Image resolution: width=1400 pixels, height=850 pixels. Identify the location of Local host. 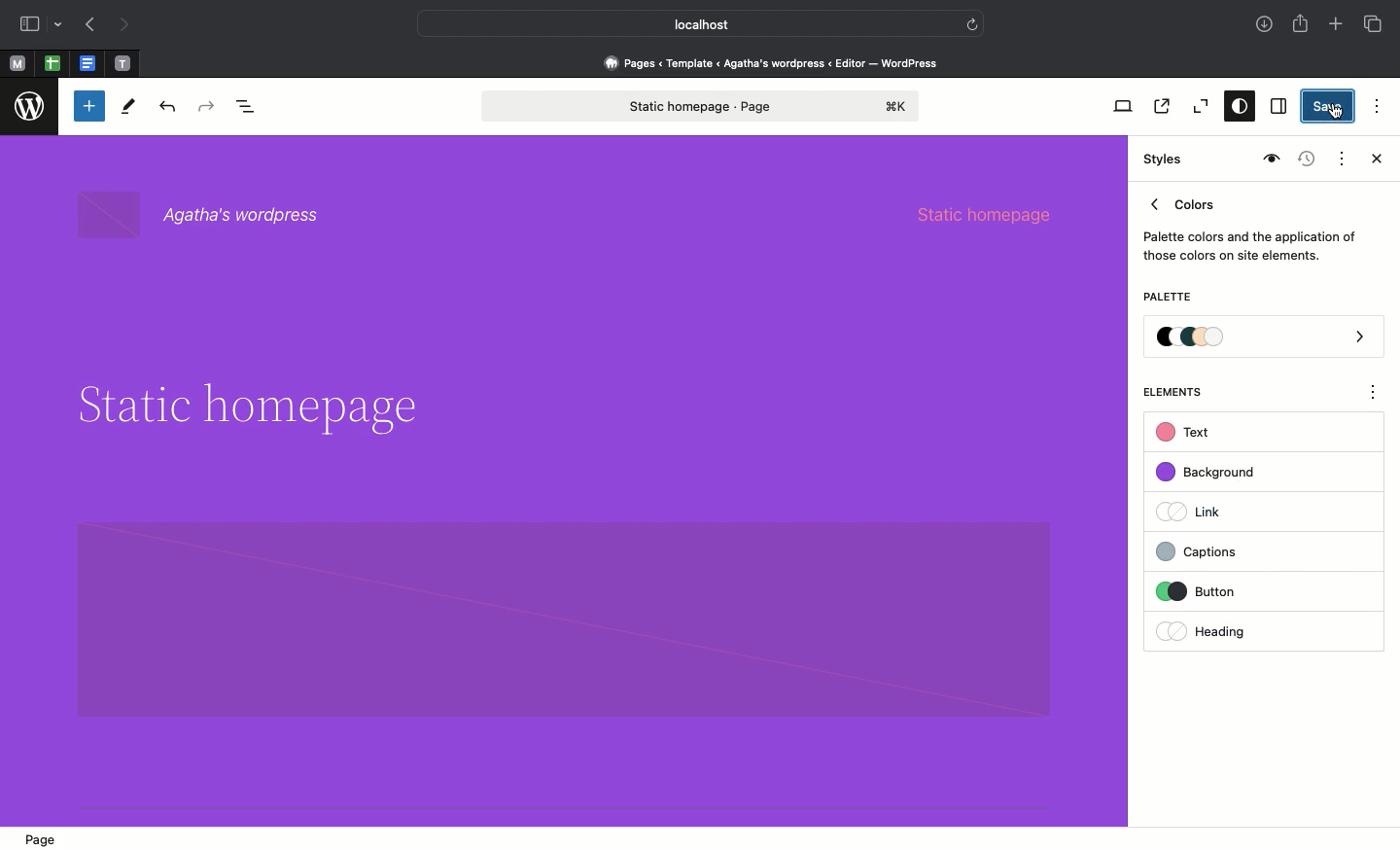
(686, 23).